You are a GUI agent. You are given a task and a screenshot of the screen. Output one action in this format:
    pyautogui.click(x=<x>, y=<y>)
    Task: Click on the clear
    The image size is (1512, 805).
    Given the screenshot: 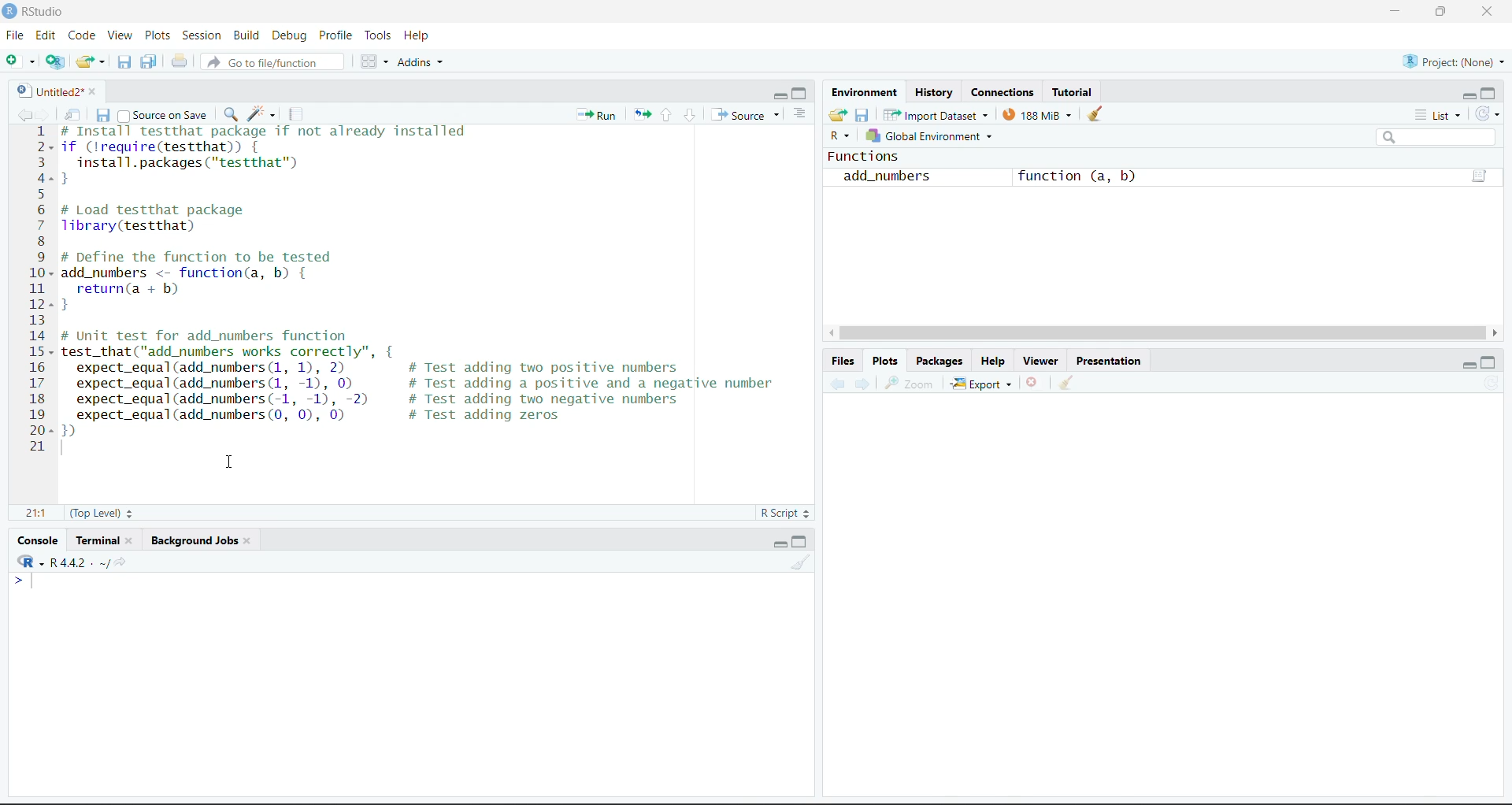 What is the action you would take?
    pyautogui.click(x=1066, y=381)
    